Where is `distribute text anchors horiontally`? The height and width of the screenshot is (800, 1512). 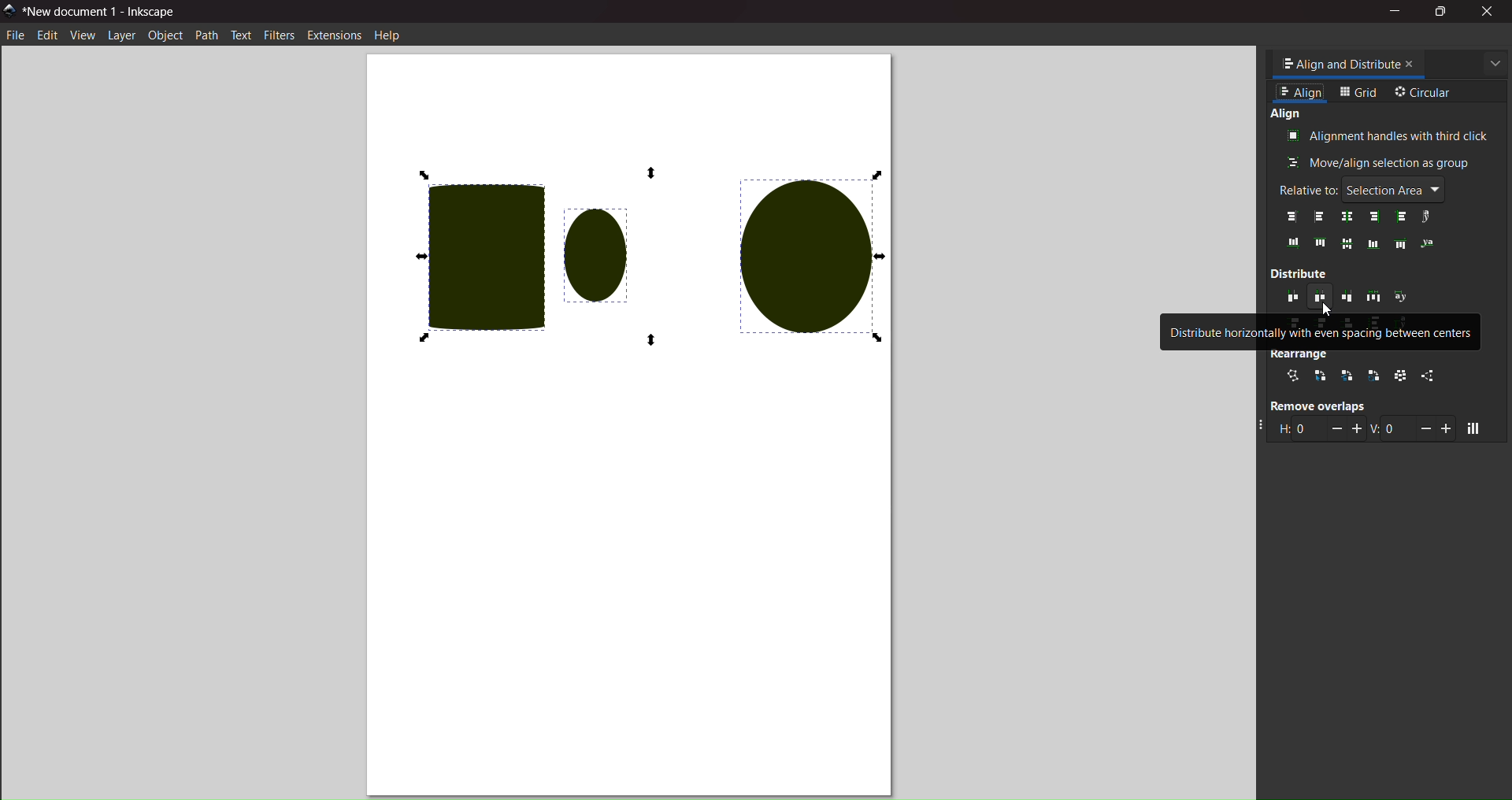 distribute text anchors horiontally is located at coordinates (1403, 296).